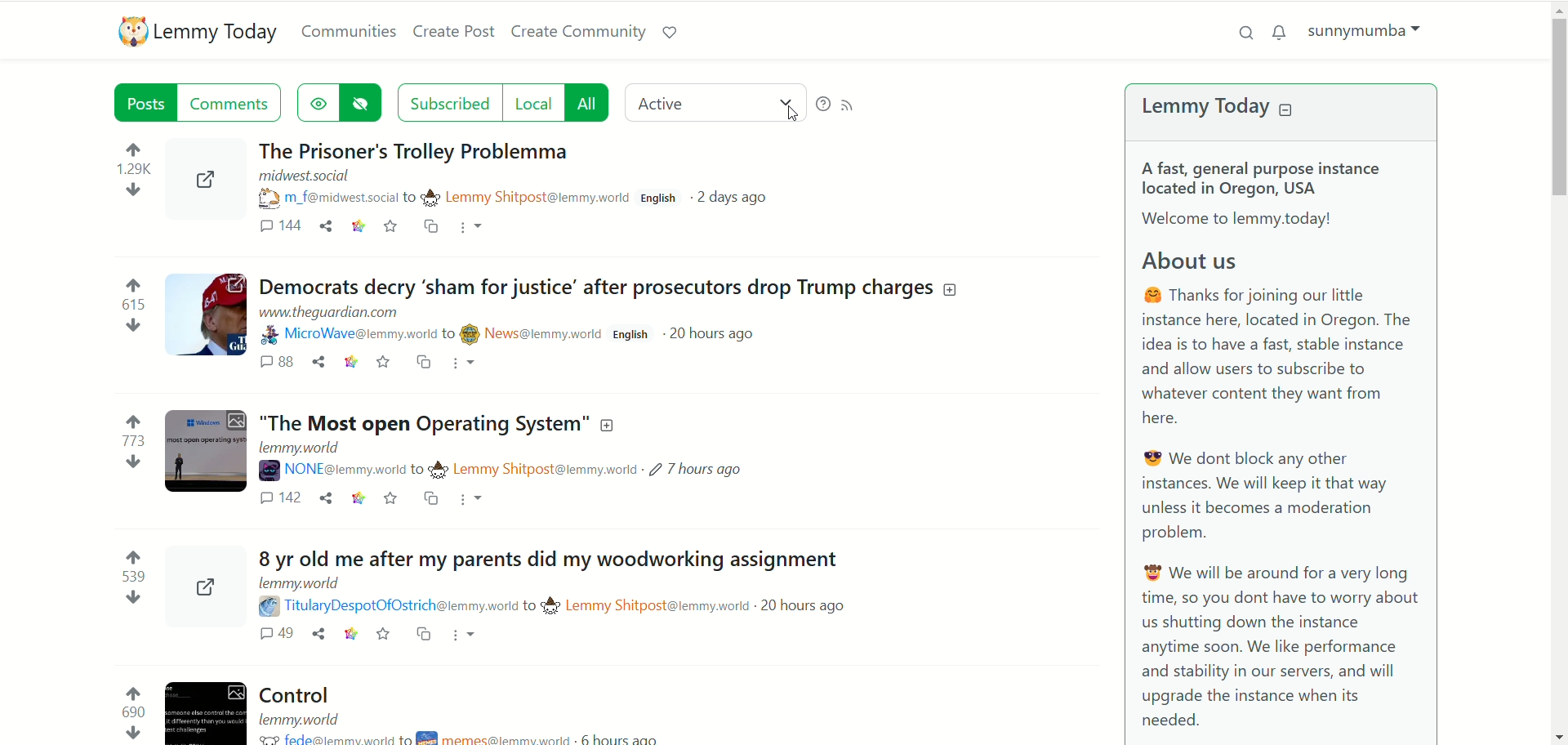 The width and height of the screenshot is (1568, 745). Describe the element at coordinates (718, 333) in the screenshot. I see `20 hours ago` at that location.